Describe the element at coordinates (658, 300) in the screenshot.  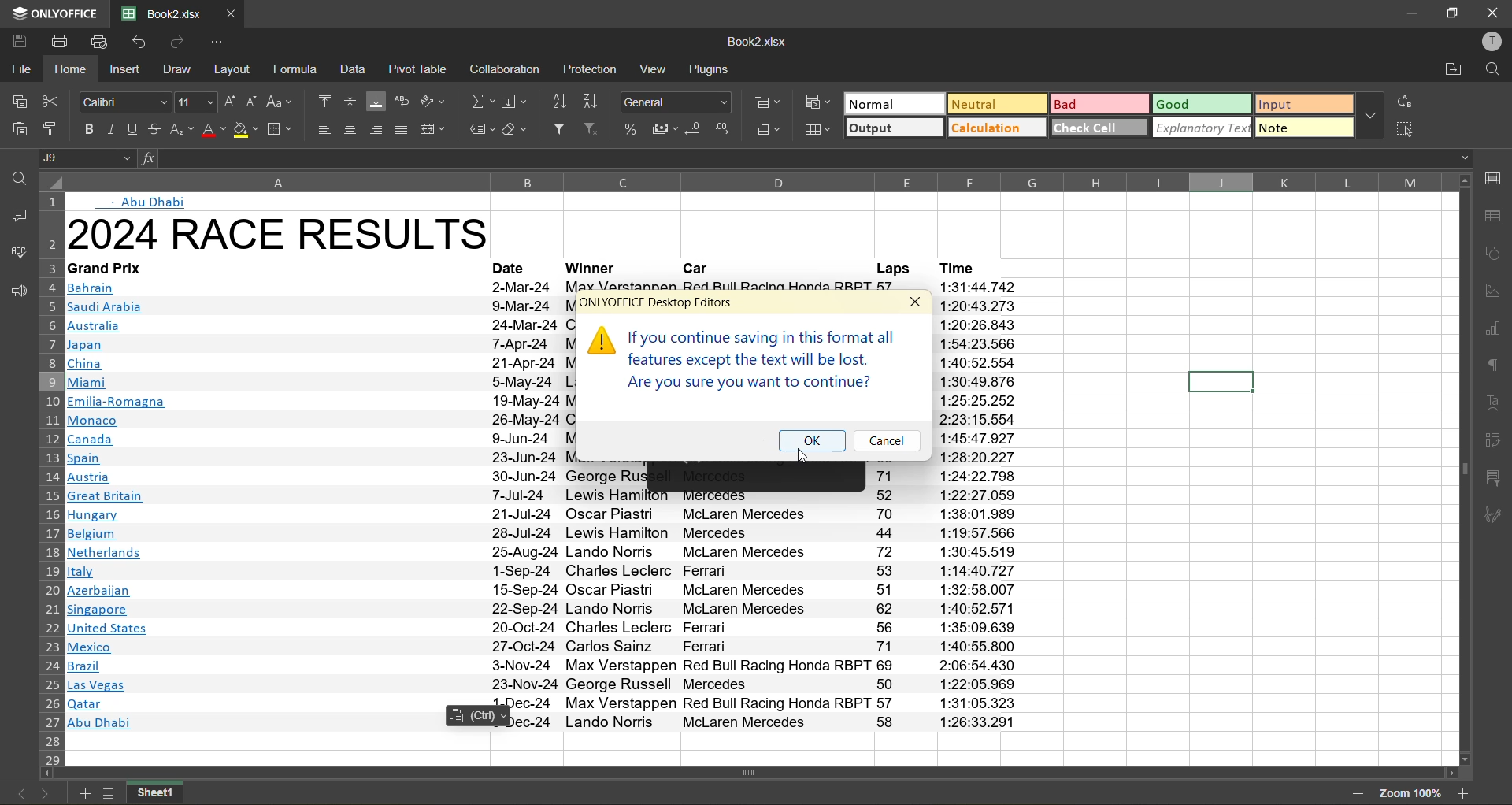
I see `onlyoffice desktop editors` at that location.